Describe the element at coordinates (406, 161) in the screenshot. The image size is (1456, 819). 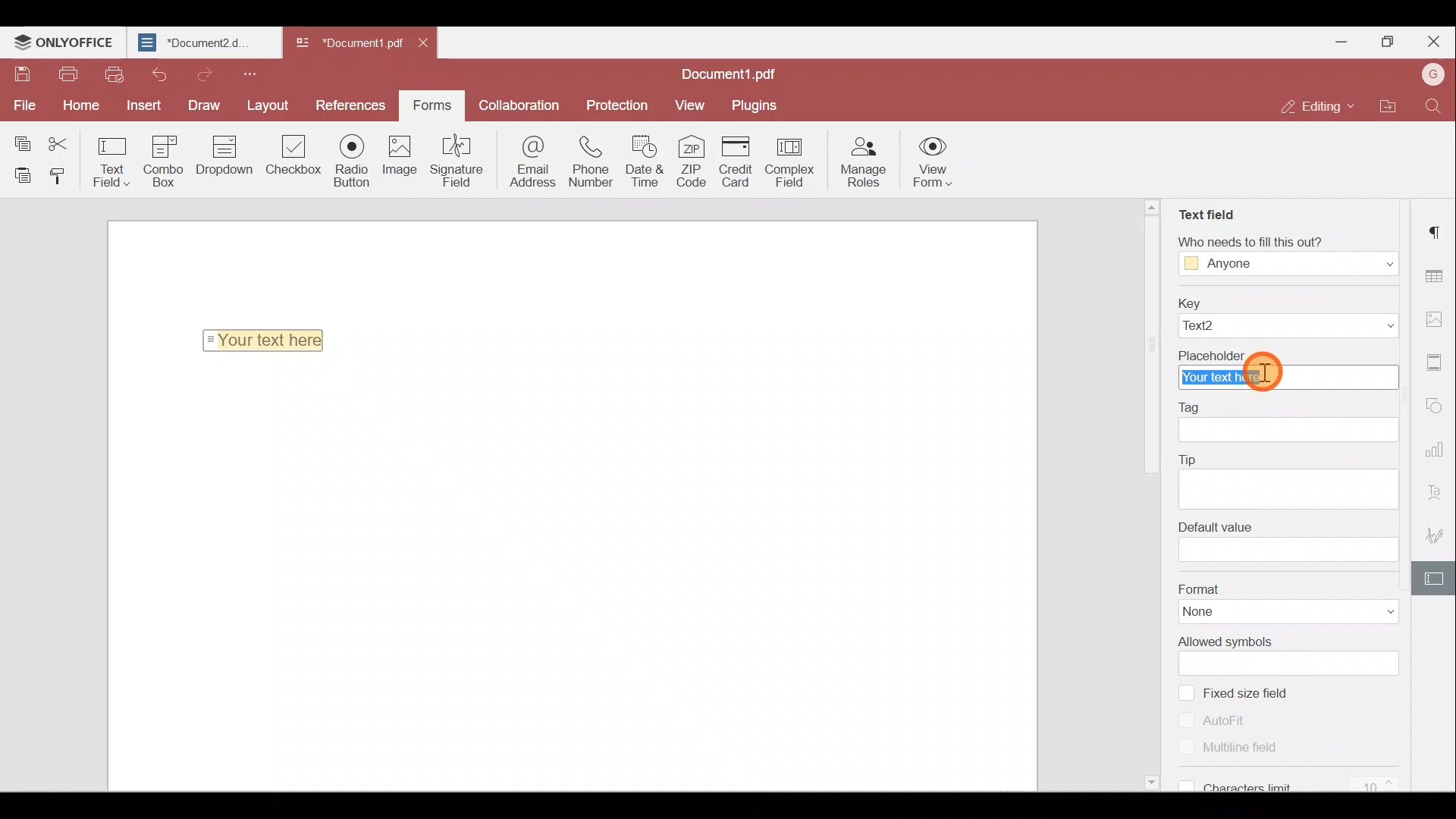
I see `Image` at that location.